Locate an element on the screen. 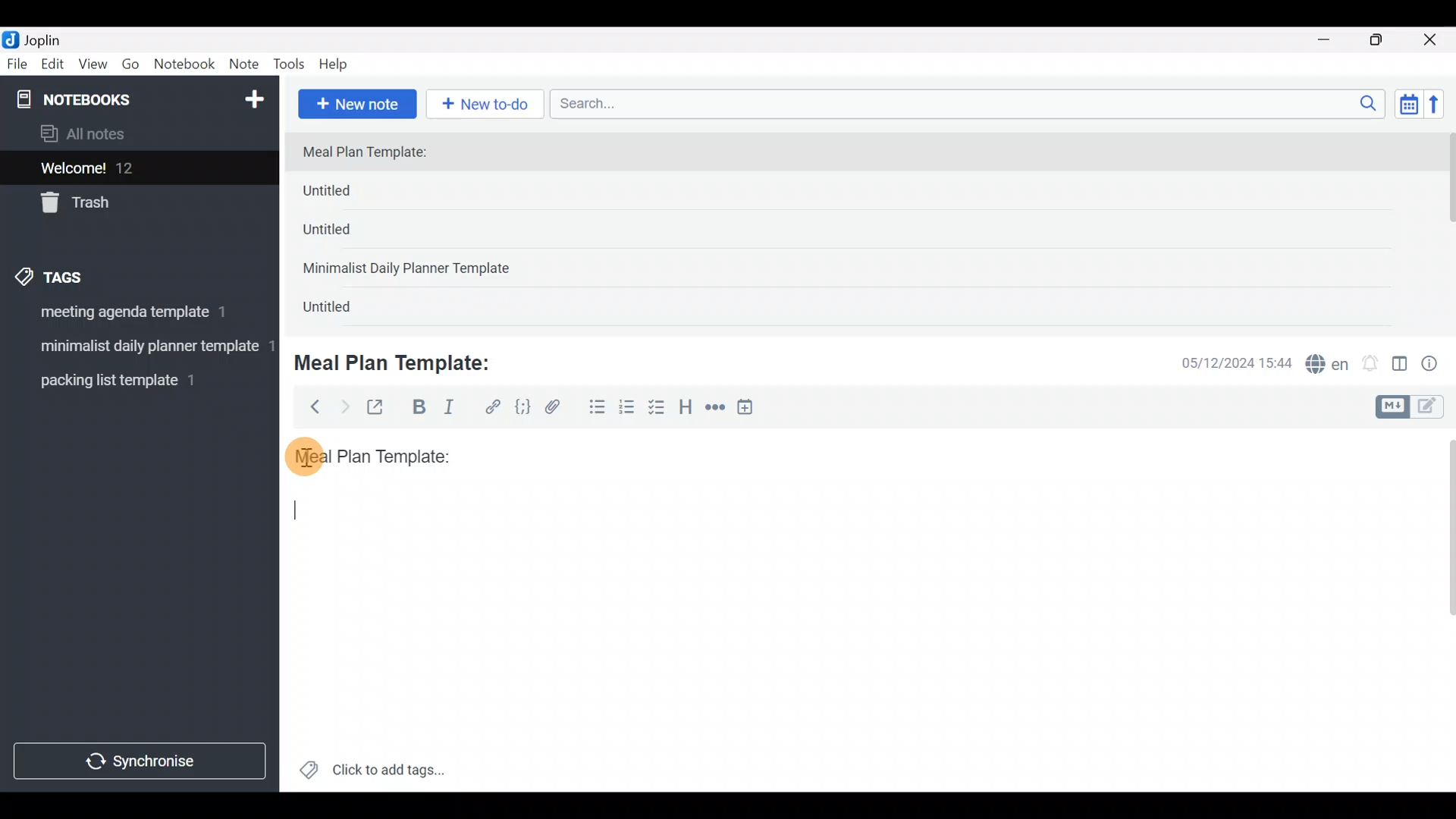  Note is located at coordinates (247, 65).